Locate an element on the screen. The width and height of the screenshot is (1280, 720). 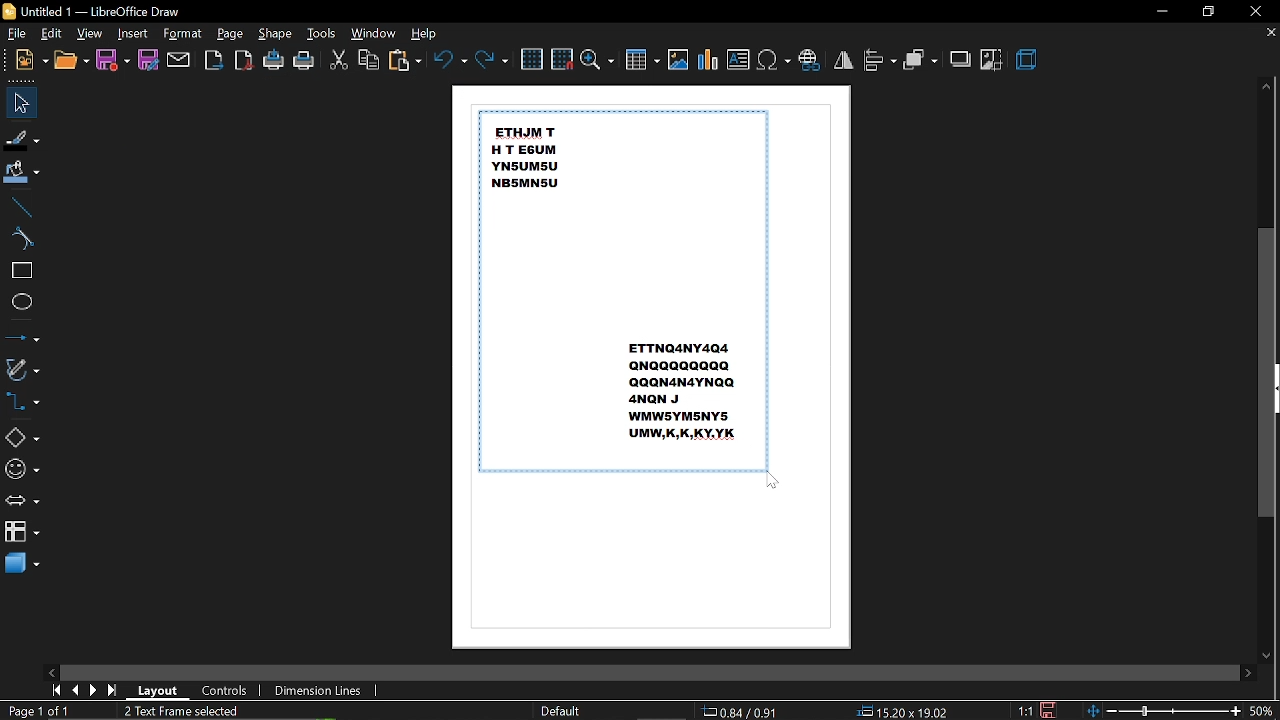
symbol shapes is located at coordinates (22, 469).